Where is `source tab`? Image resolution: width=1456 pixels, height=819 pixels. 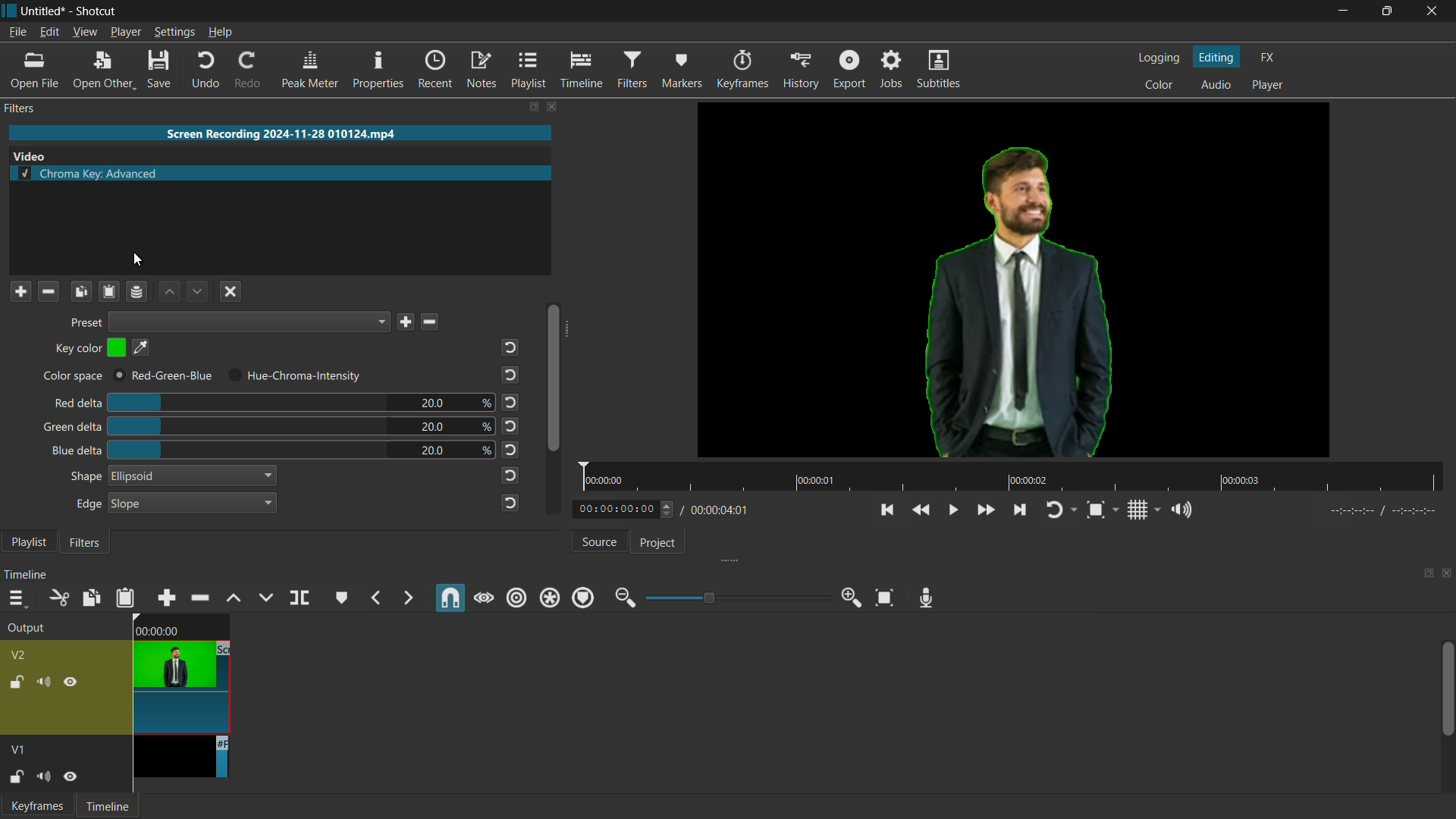 source tab is located at coordinates (598, 541).